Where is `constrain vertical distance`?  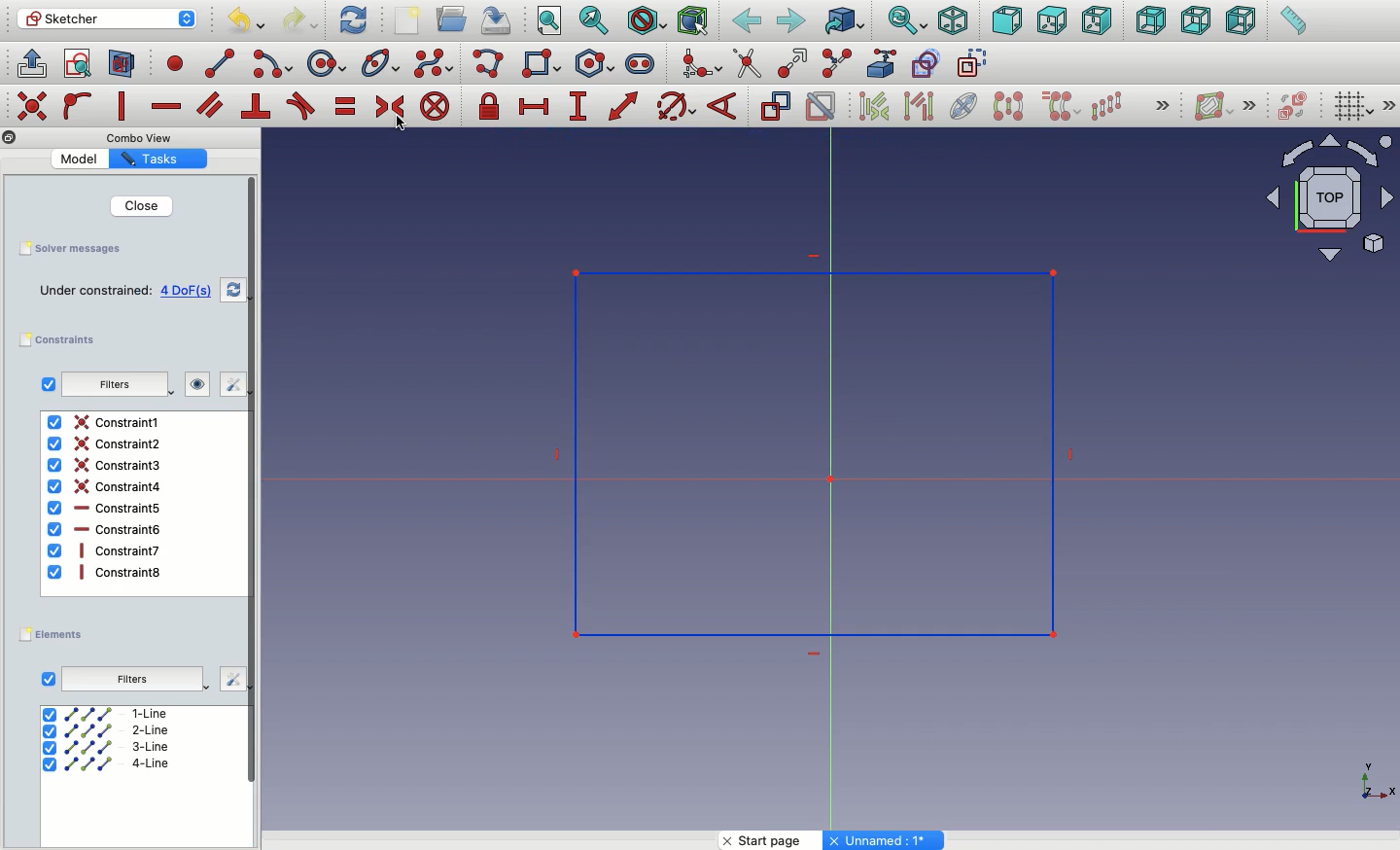
constrain vertical distance is located at coordinates (581, 108).